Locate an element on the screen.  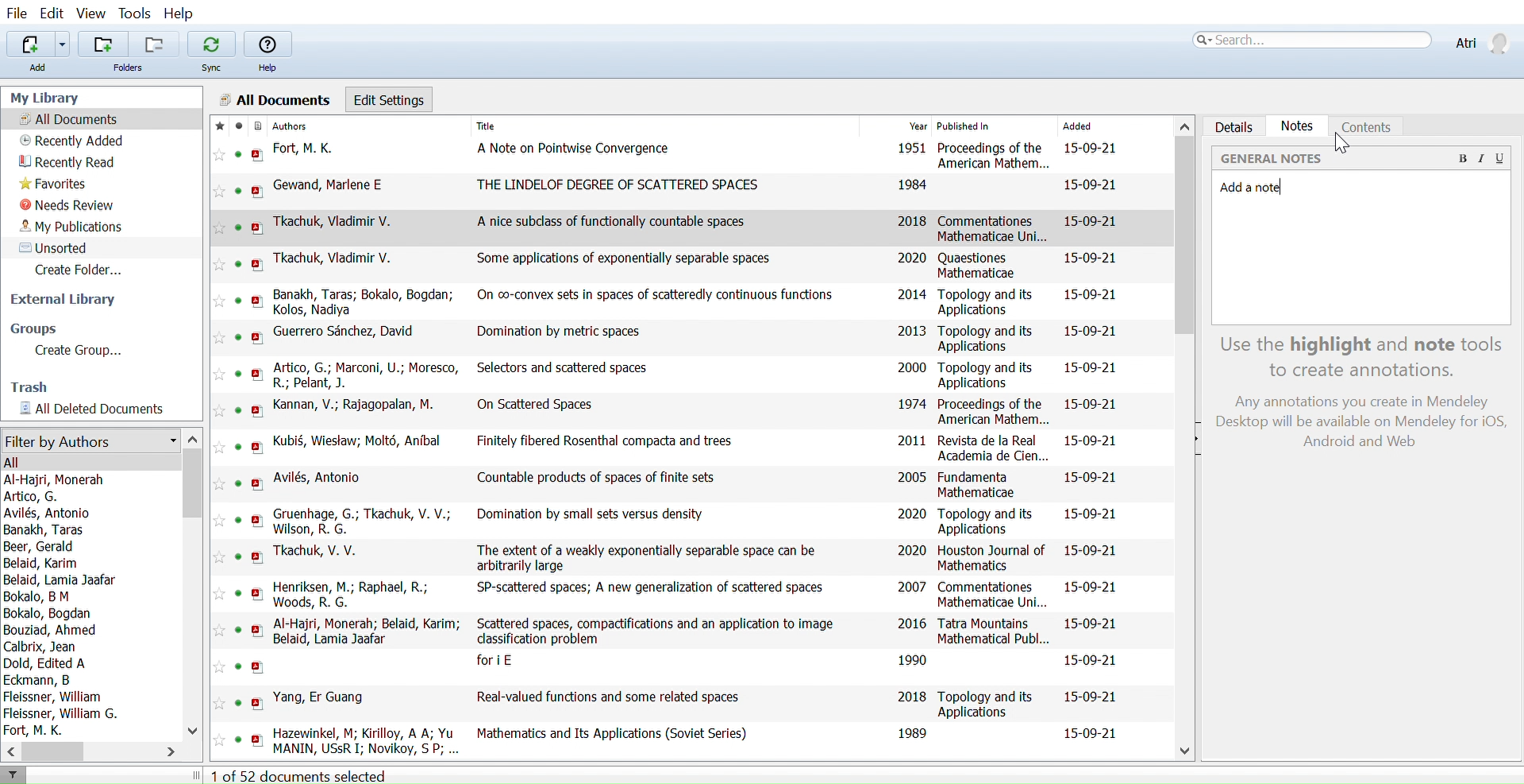
Add this reference to favorites is located at coordinates (220, 263).